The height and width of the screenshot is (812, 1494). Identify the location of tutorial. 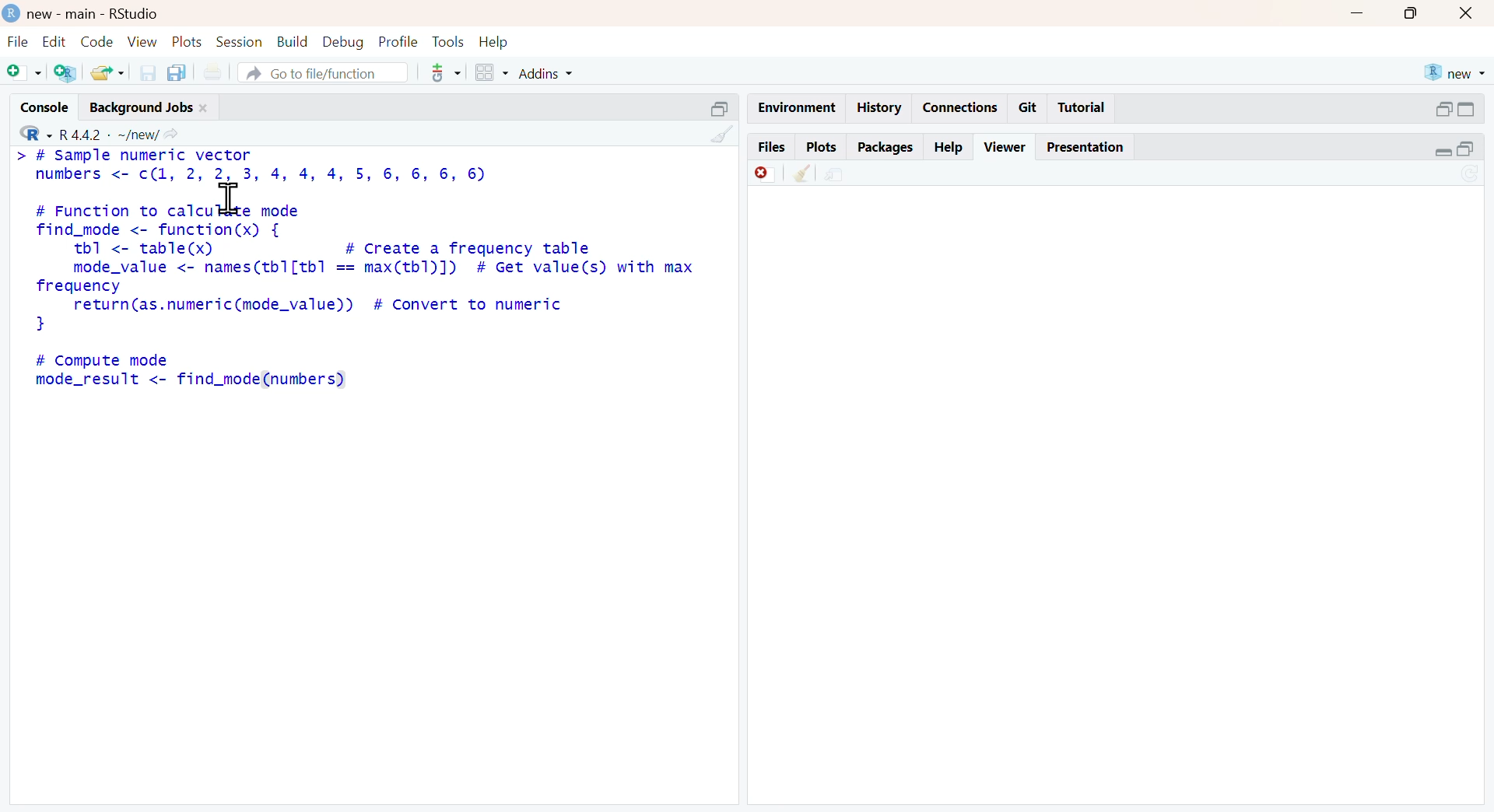
(1082, 108).